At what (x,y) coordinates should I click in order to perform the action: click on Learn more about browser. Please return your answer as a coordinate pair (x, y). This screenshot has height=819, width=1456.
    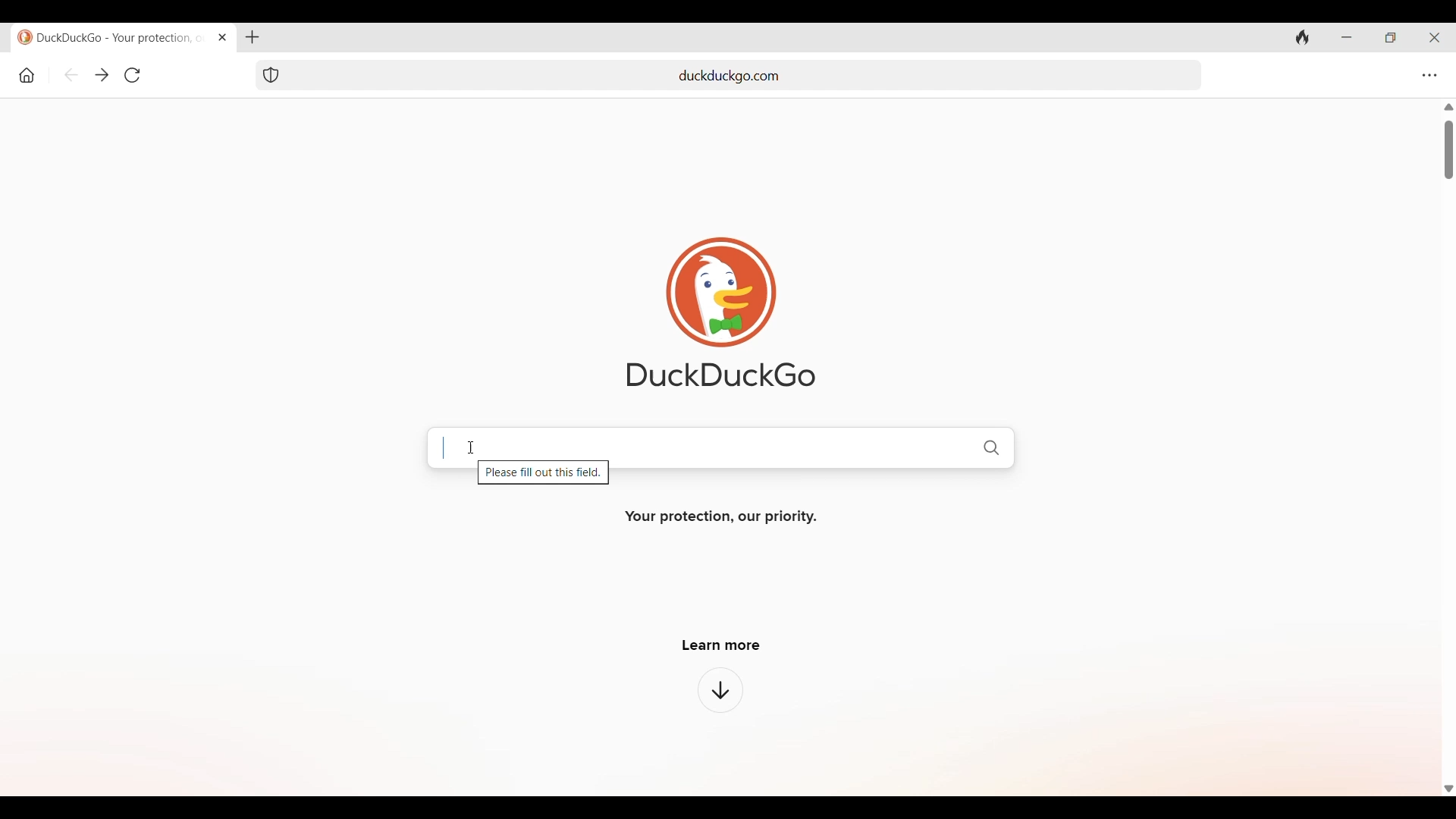
    Looking at the image, I should click on (720, 689).